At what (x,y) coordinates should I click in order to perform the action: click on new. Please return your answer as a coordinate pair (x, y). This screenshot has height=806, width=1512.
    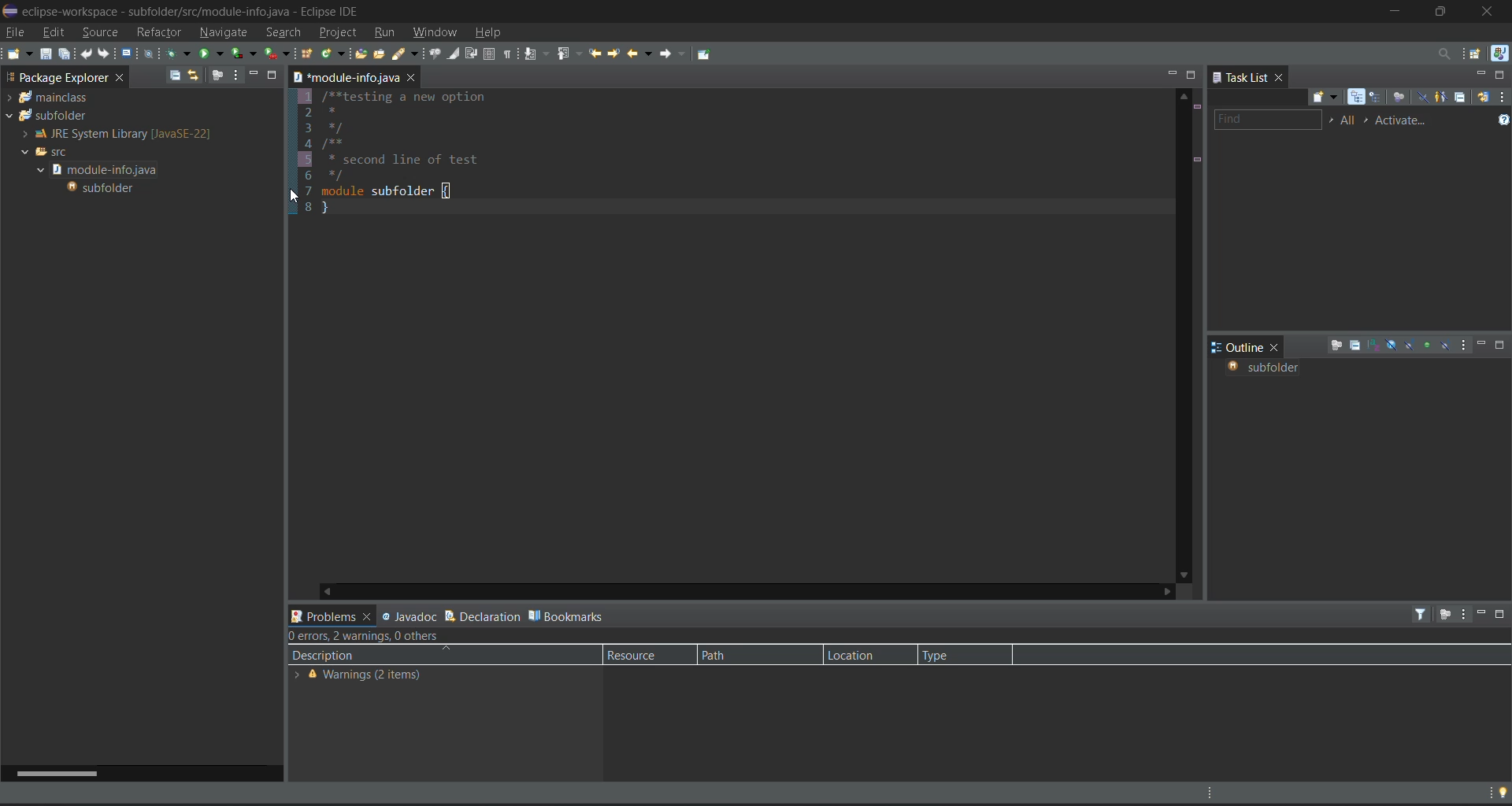
    Looking at the image, I should click on (18, 54).